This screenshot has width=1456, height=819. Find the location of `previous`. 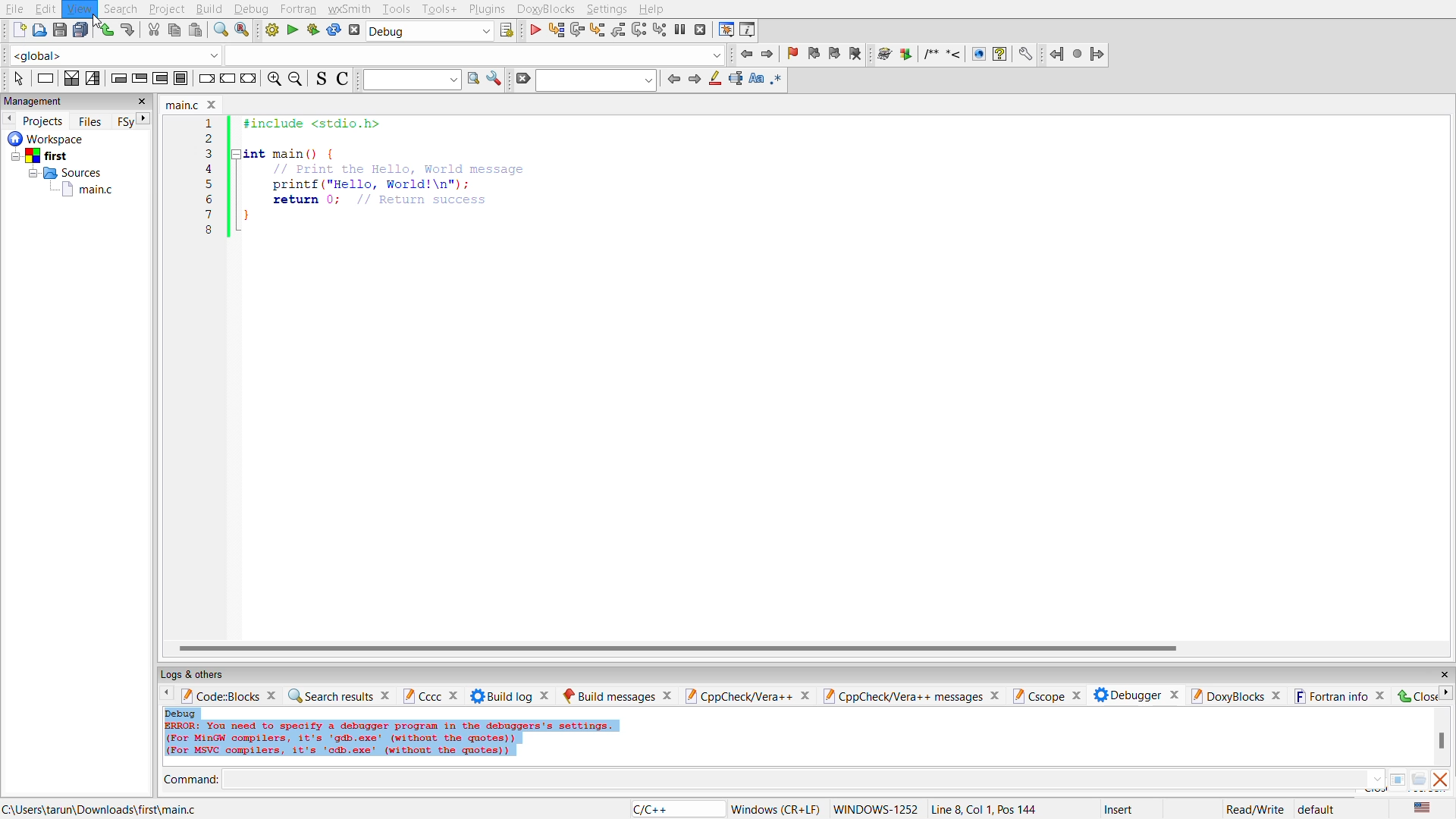

previous is located at coordinates (675, 78).